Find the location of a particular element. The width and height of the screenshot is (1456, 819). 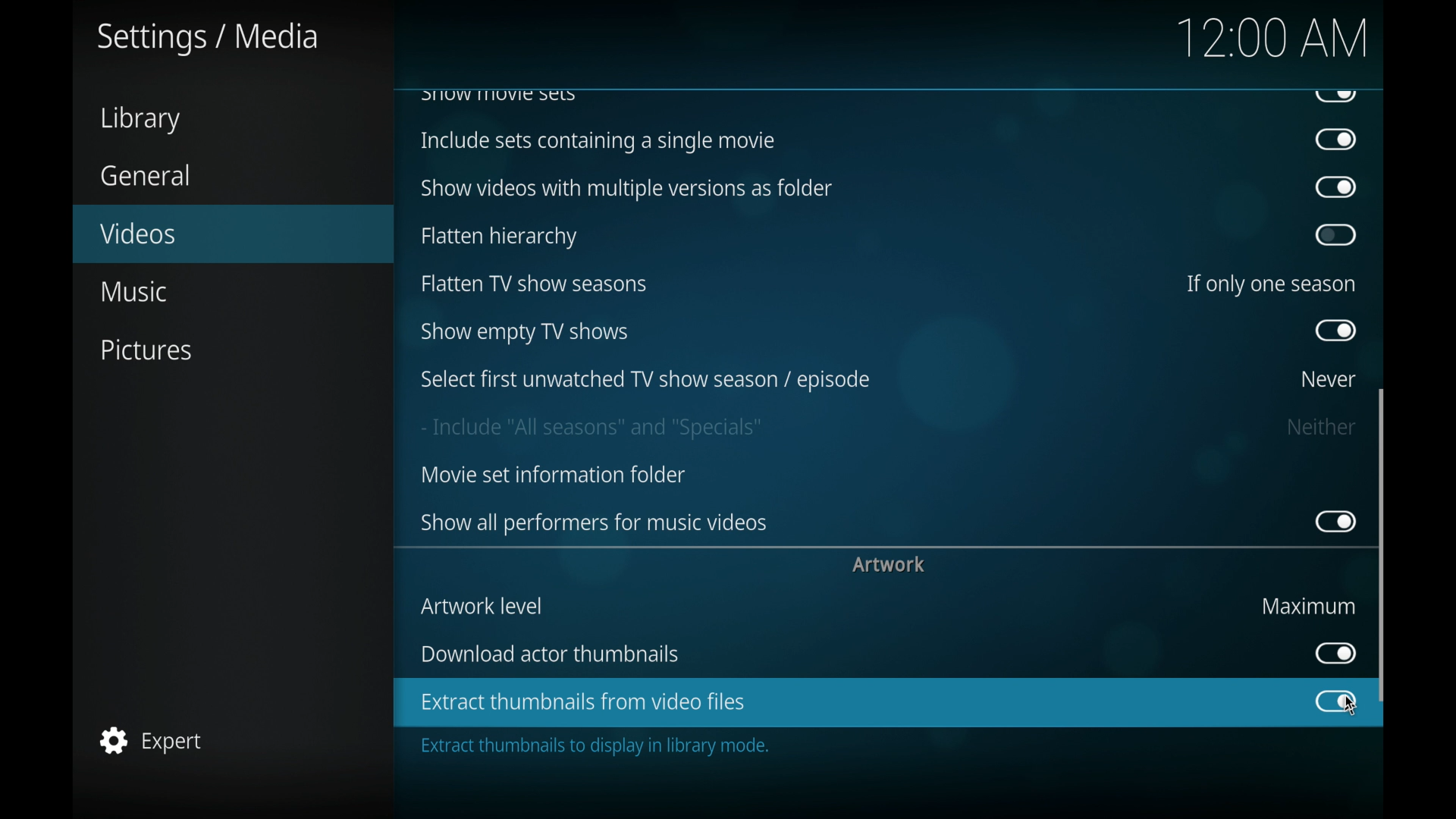

show empty tv shows is located at coordinates (526, 334).